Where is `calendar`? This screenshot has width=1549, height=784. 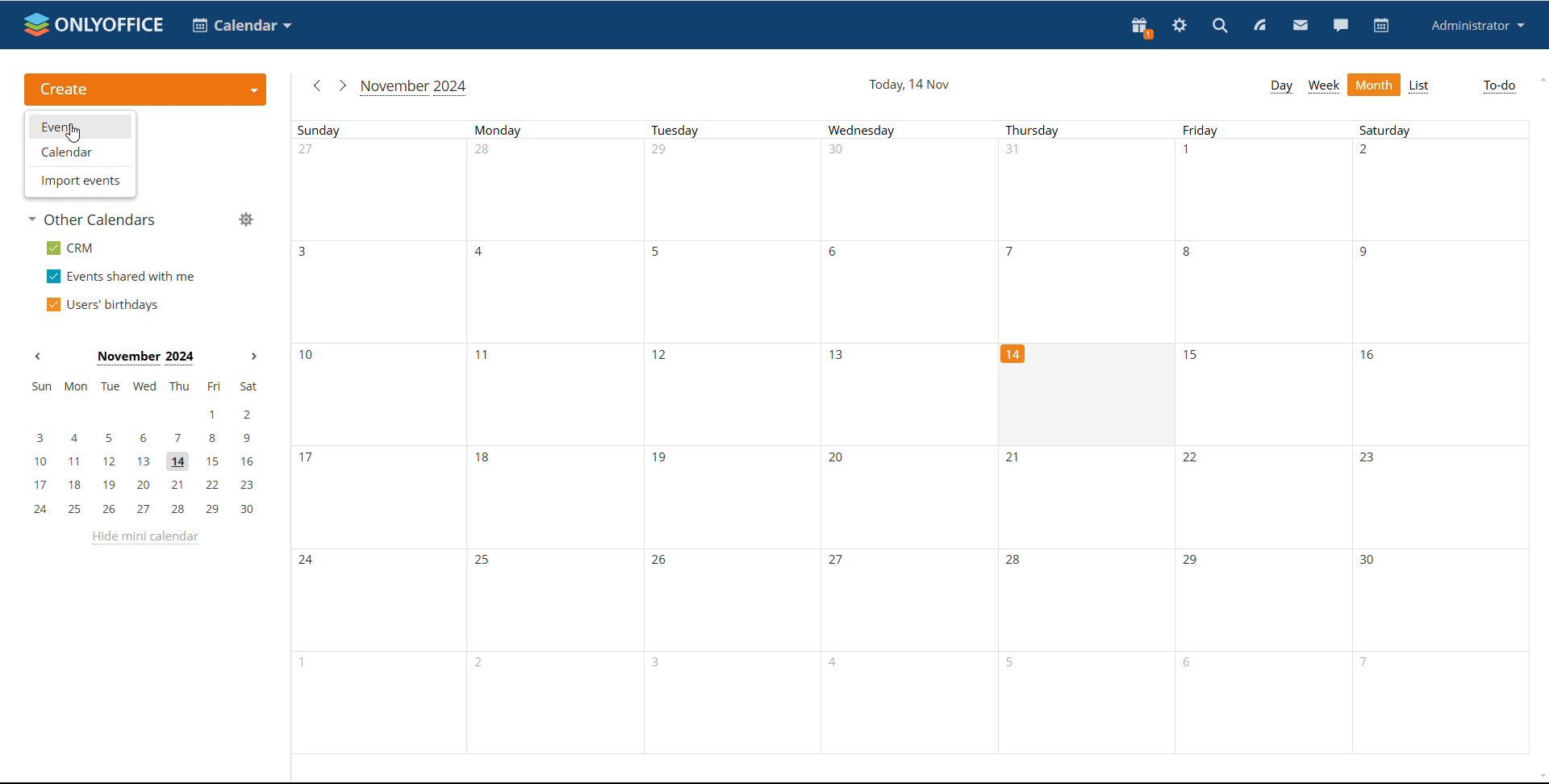 calendar is located at coordinates (1381, 26).